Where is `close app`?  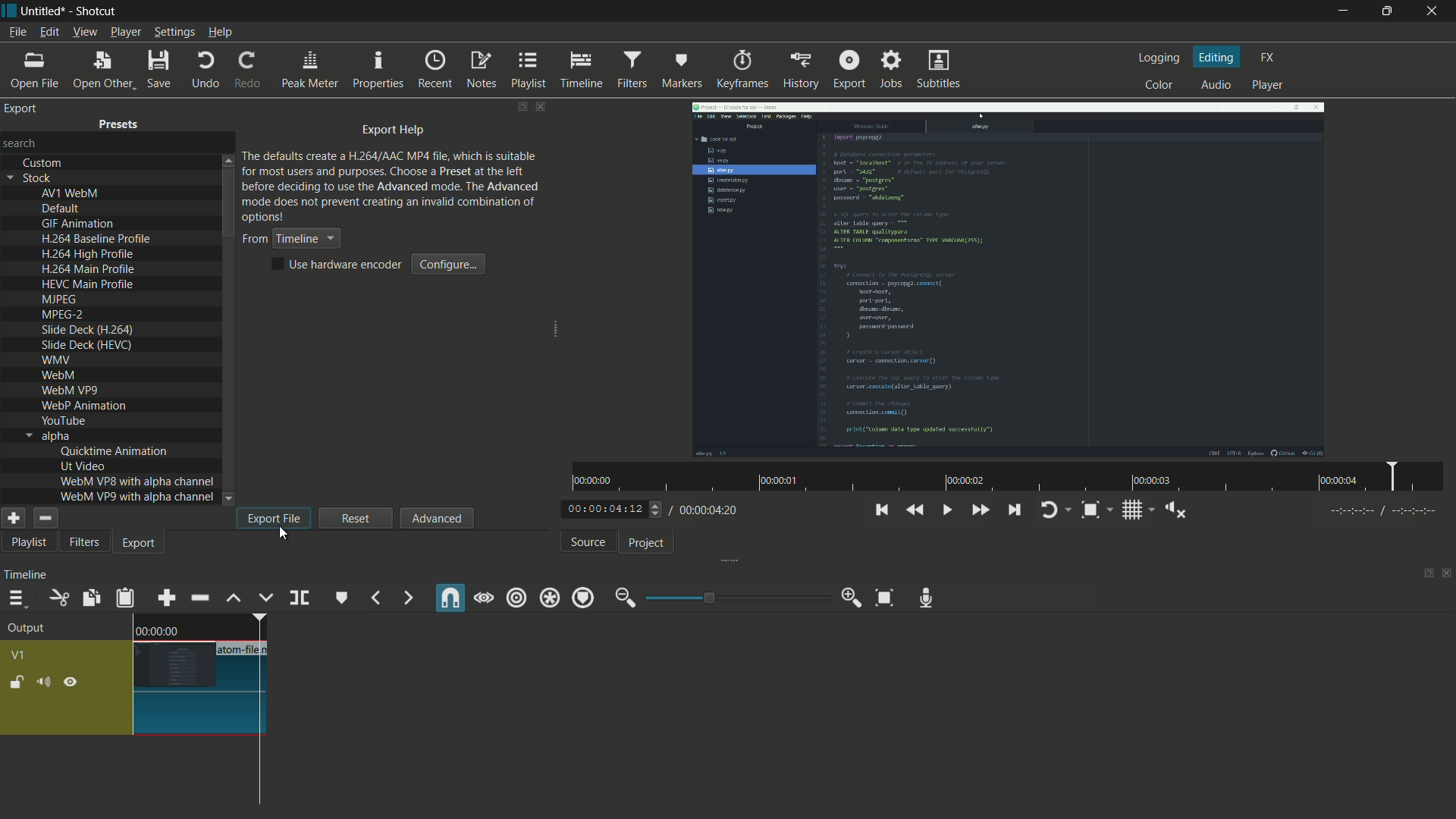 close app is located at coordinates (1436, 12).